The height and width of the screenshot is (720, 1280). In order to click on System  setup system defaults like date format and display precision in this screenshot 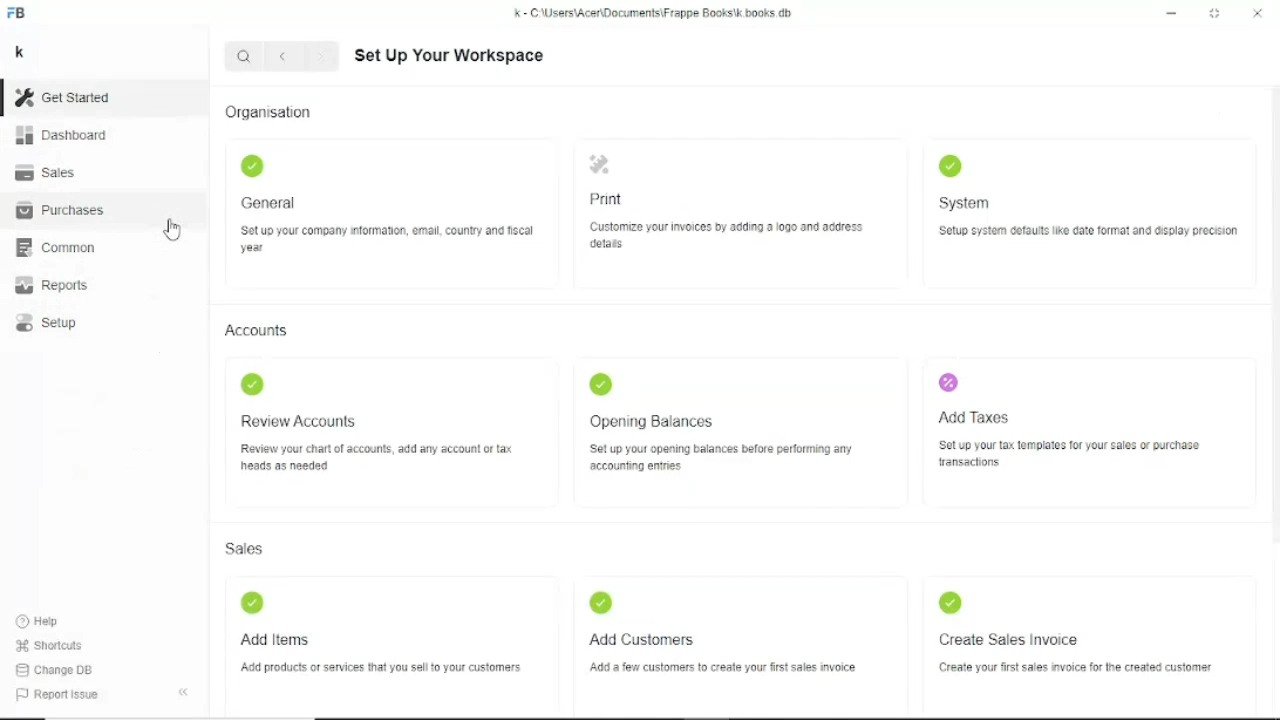, I will do `click(1089, 196)`.